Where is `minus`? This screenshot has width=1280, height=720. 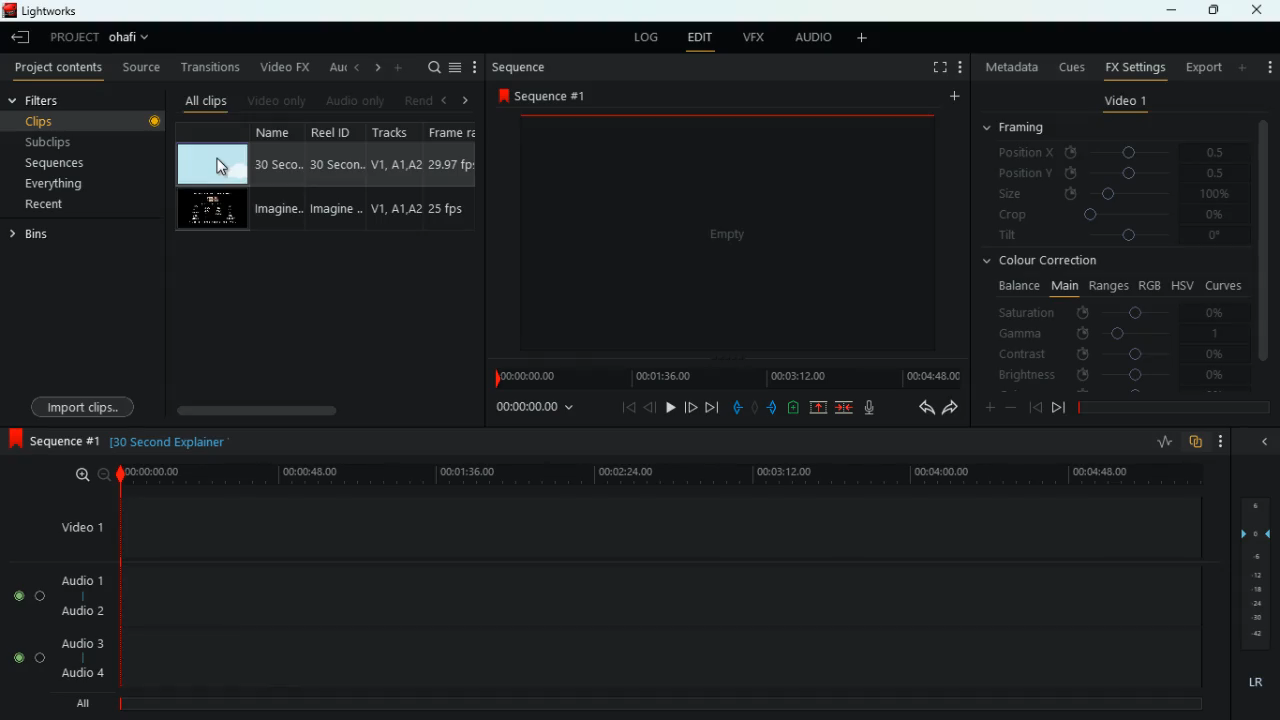
minus is located at coordinates (1010, 407).